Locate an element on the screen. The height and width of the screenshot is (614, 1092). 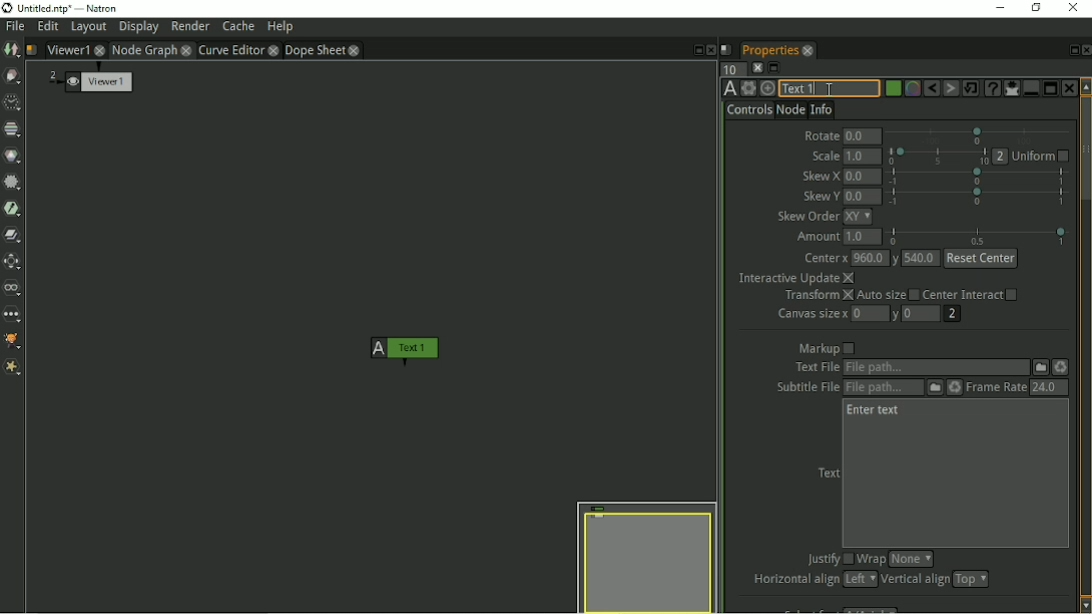
Justify is located at coordinates (828, 559).